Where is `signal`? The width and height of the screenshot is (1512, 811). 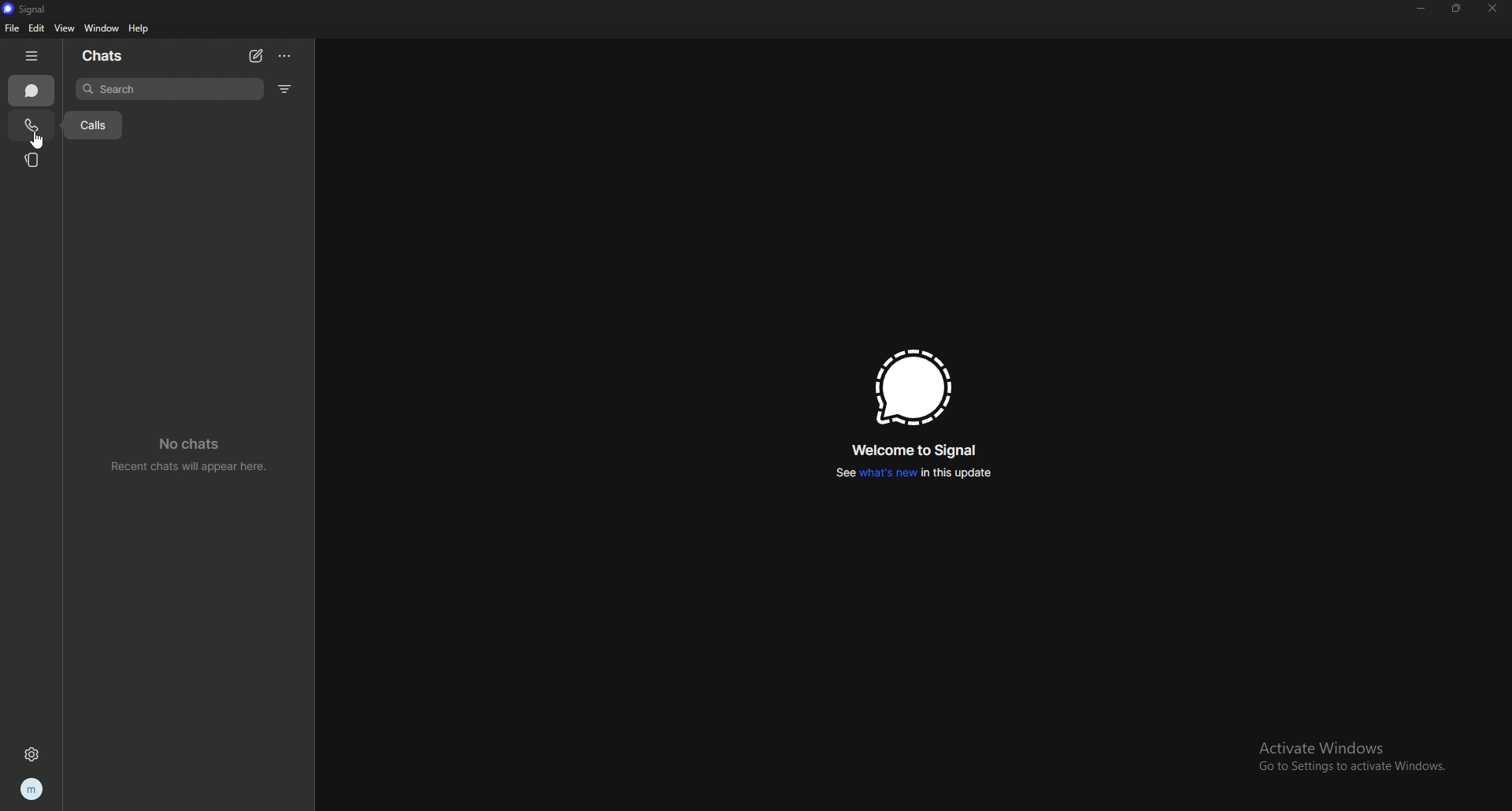
signal is located at coordinates (914, 387).